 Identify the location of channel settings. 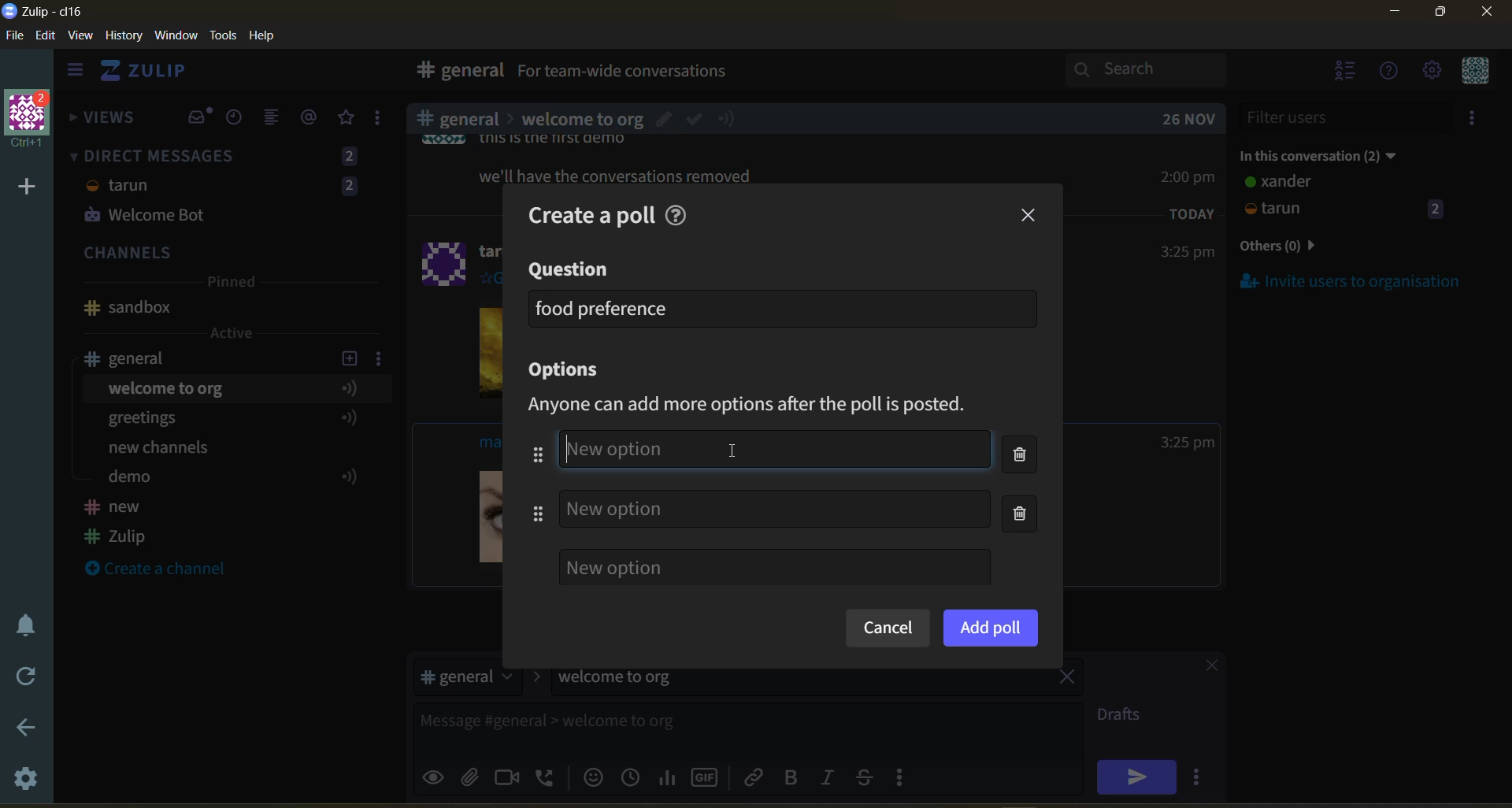
(382, 358).